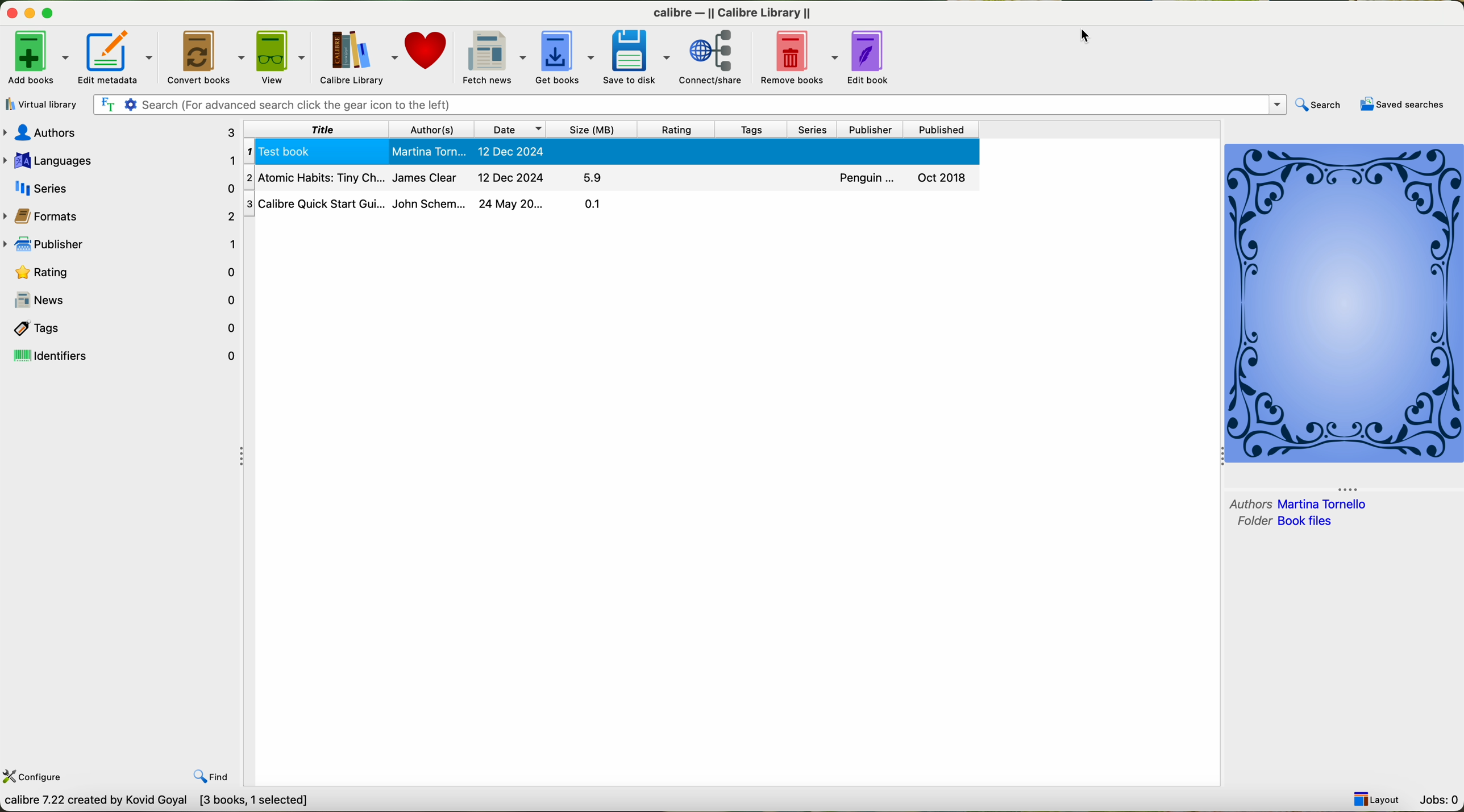  What do you see at coordinates (1344, 304) in the screenshot?
I see `cover book preview` at bounding box center [1344, 304].